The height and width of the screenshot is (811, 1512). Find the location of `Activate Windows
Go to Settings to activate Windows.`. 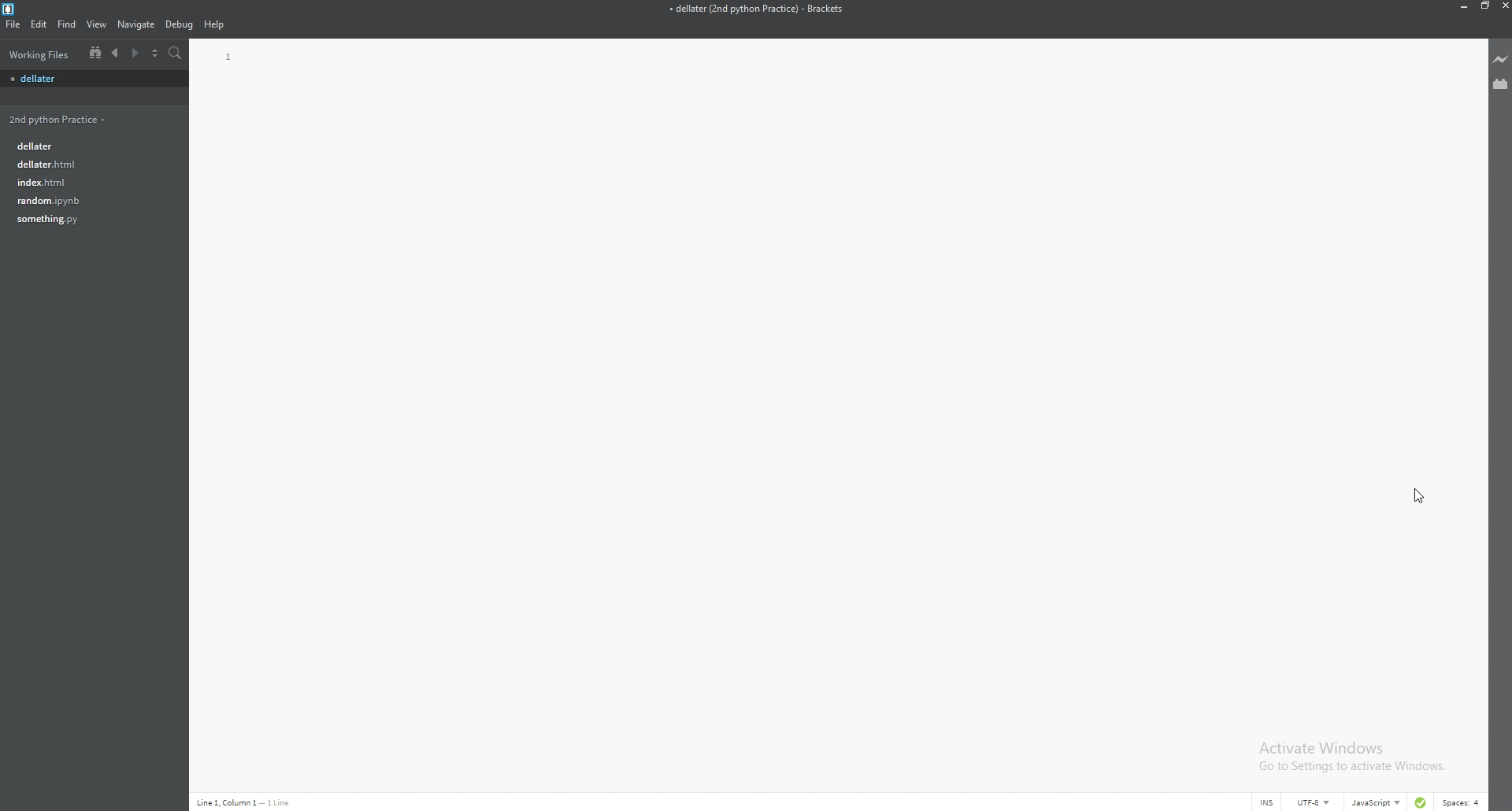

Activate Windows
Go to Settings to activate Windows. is located at coordinates (1350, 756).